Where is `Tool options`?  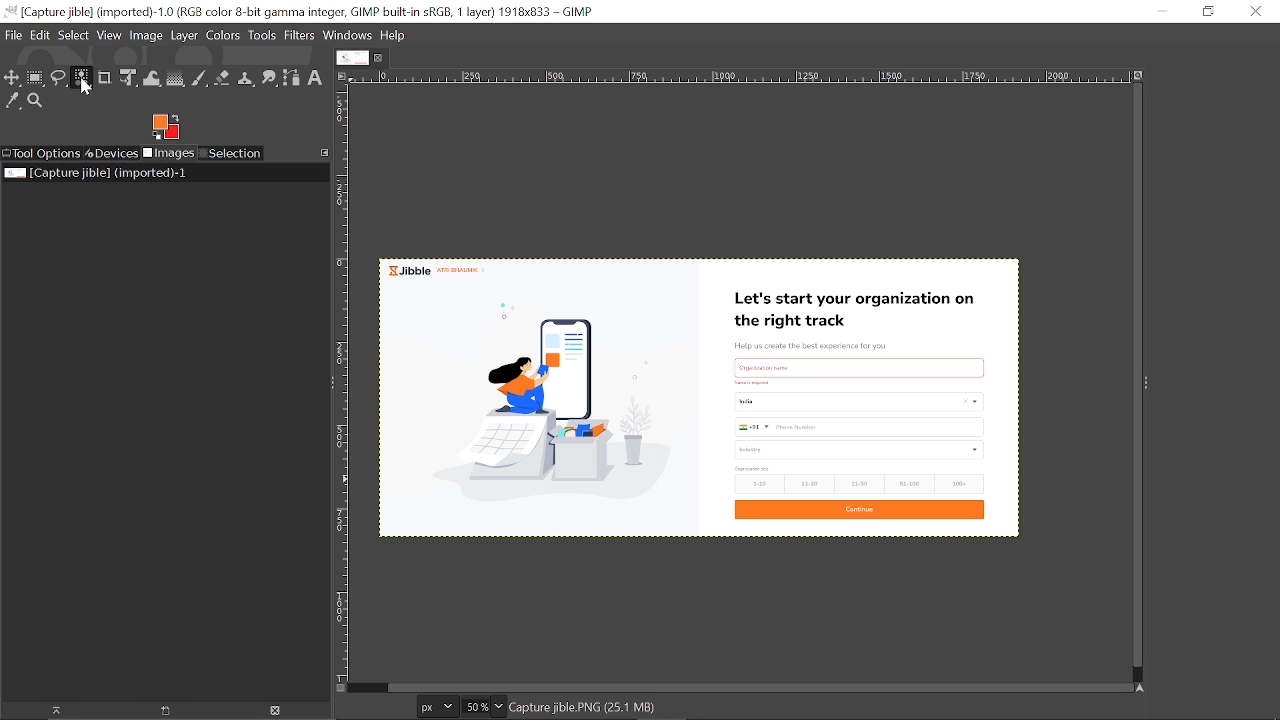 Tool options is located at coordinates (41, 154).